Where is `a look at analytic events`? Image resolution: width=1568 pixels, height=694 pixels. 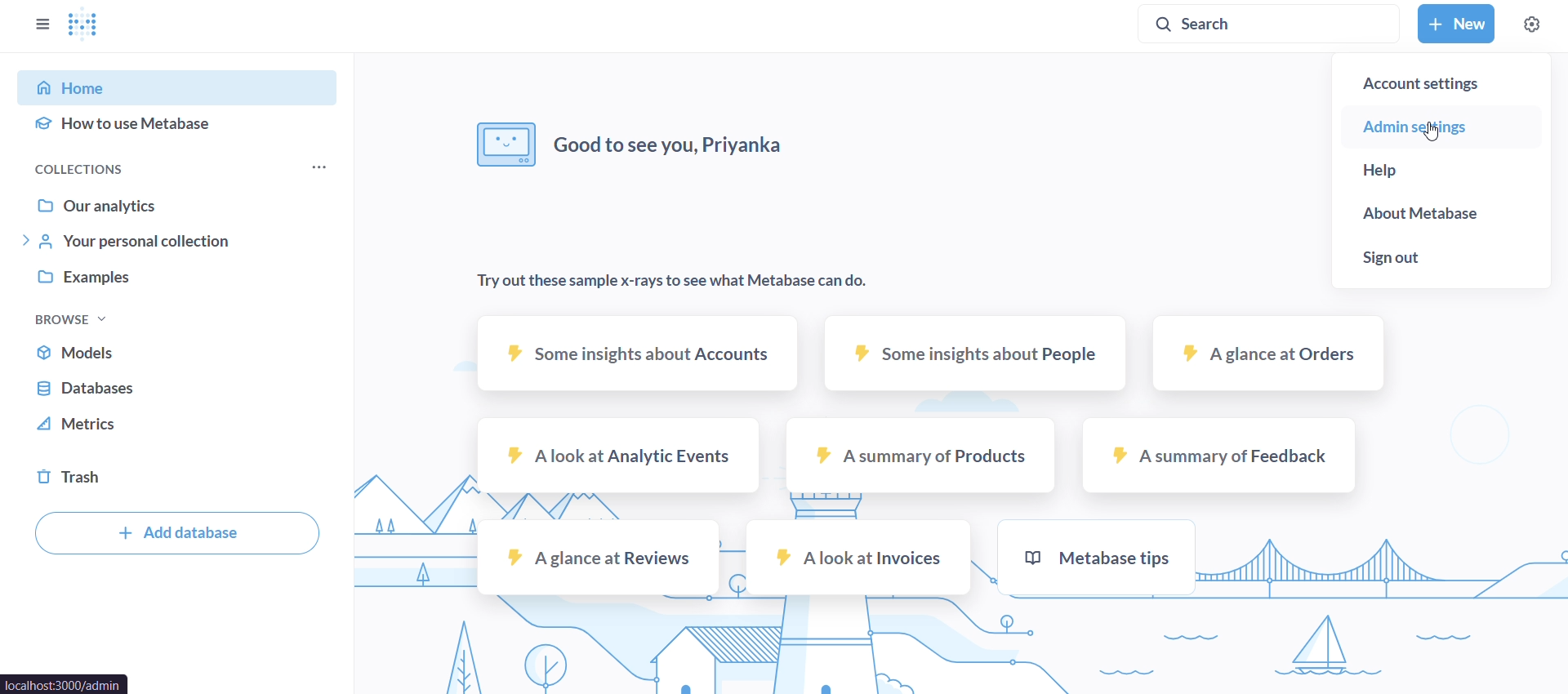 a look at analytic events is located at coordinates (617, 455).